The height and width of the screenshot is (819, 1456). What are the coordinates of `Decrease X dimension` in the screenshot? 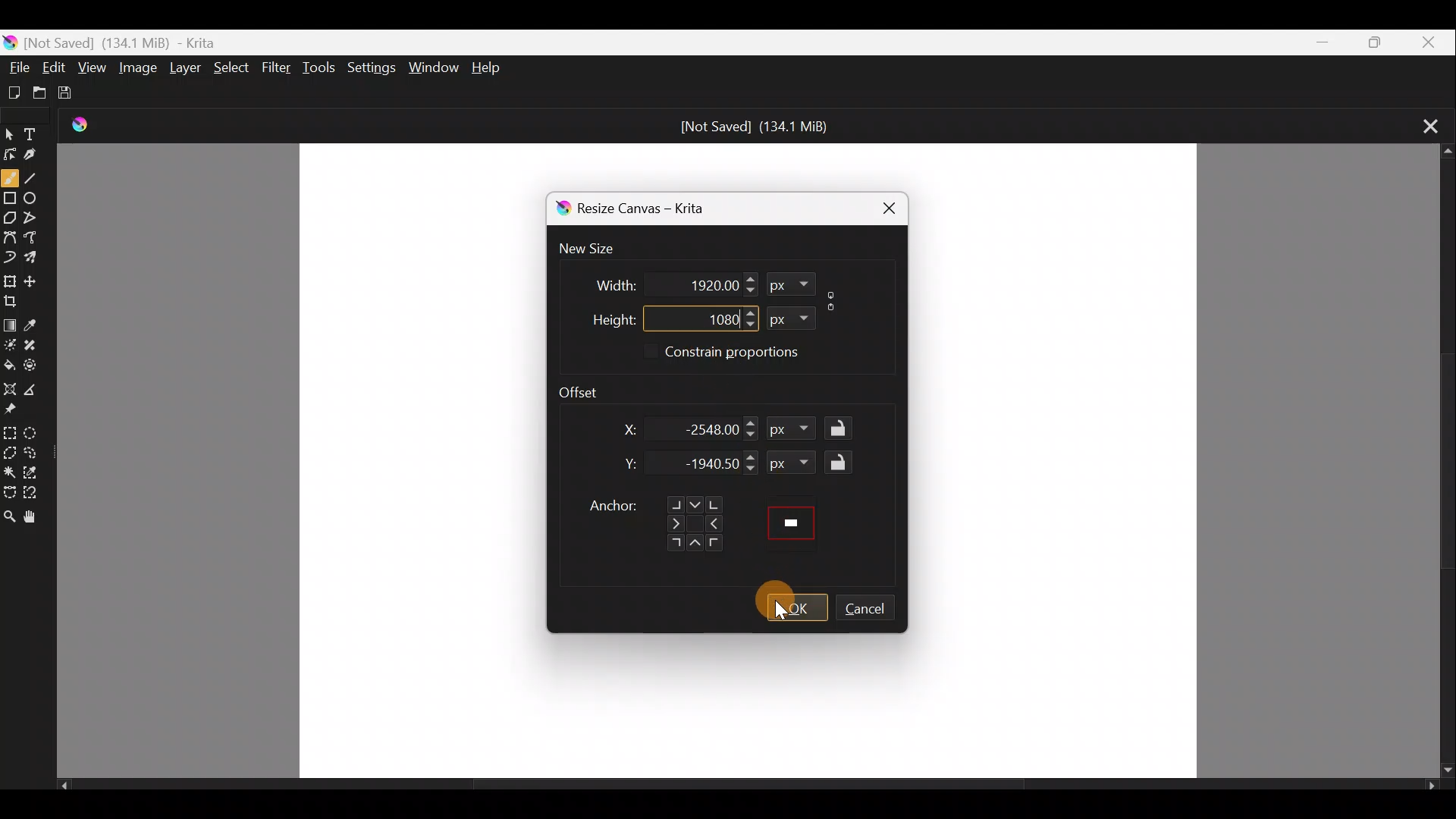 It's located at (752, 435).